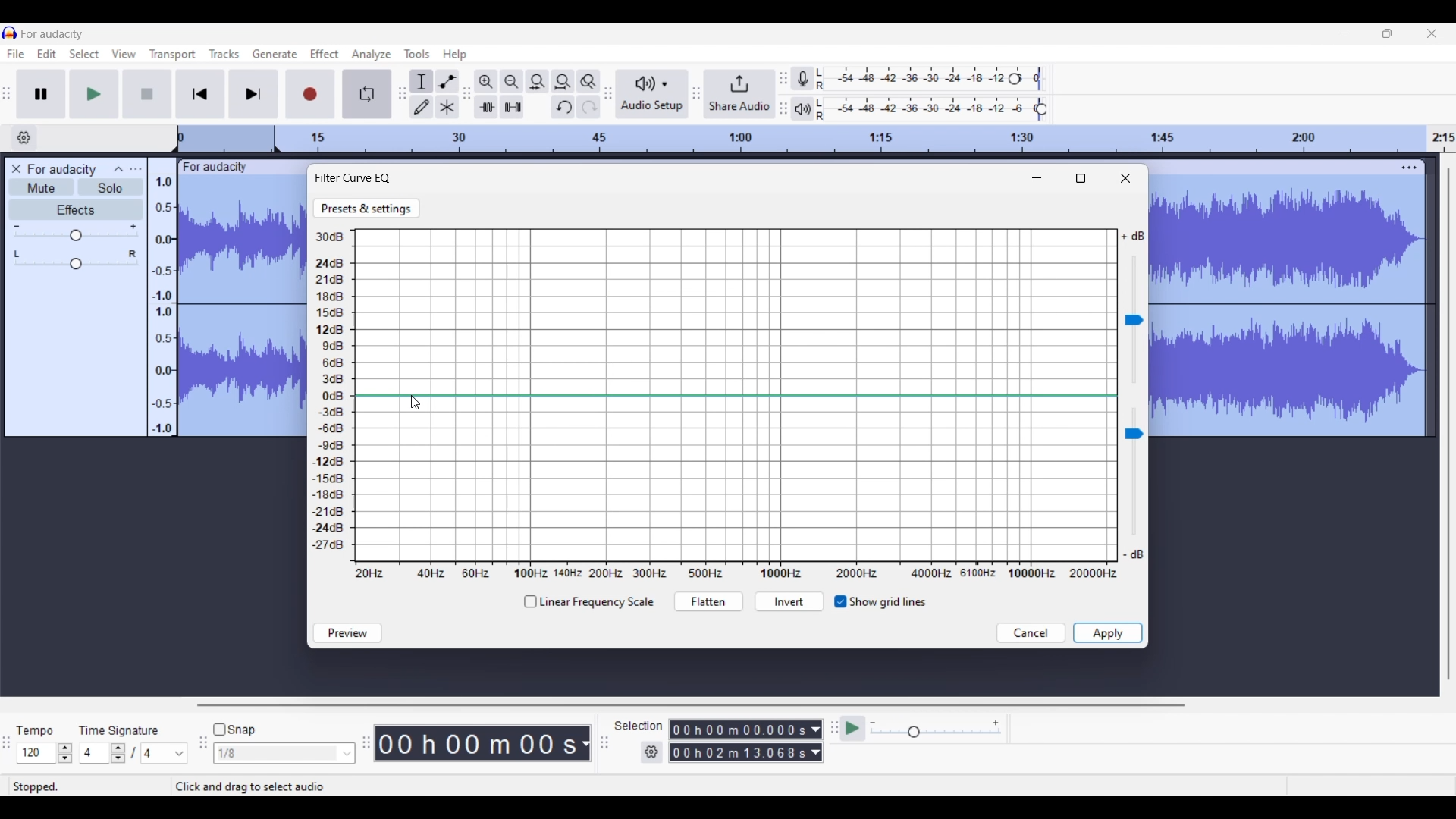 The height and width of the screenshot is (819, 1456). I want to click on Selection, so click(639, 727).